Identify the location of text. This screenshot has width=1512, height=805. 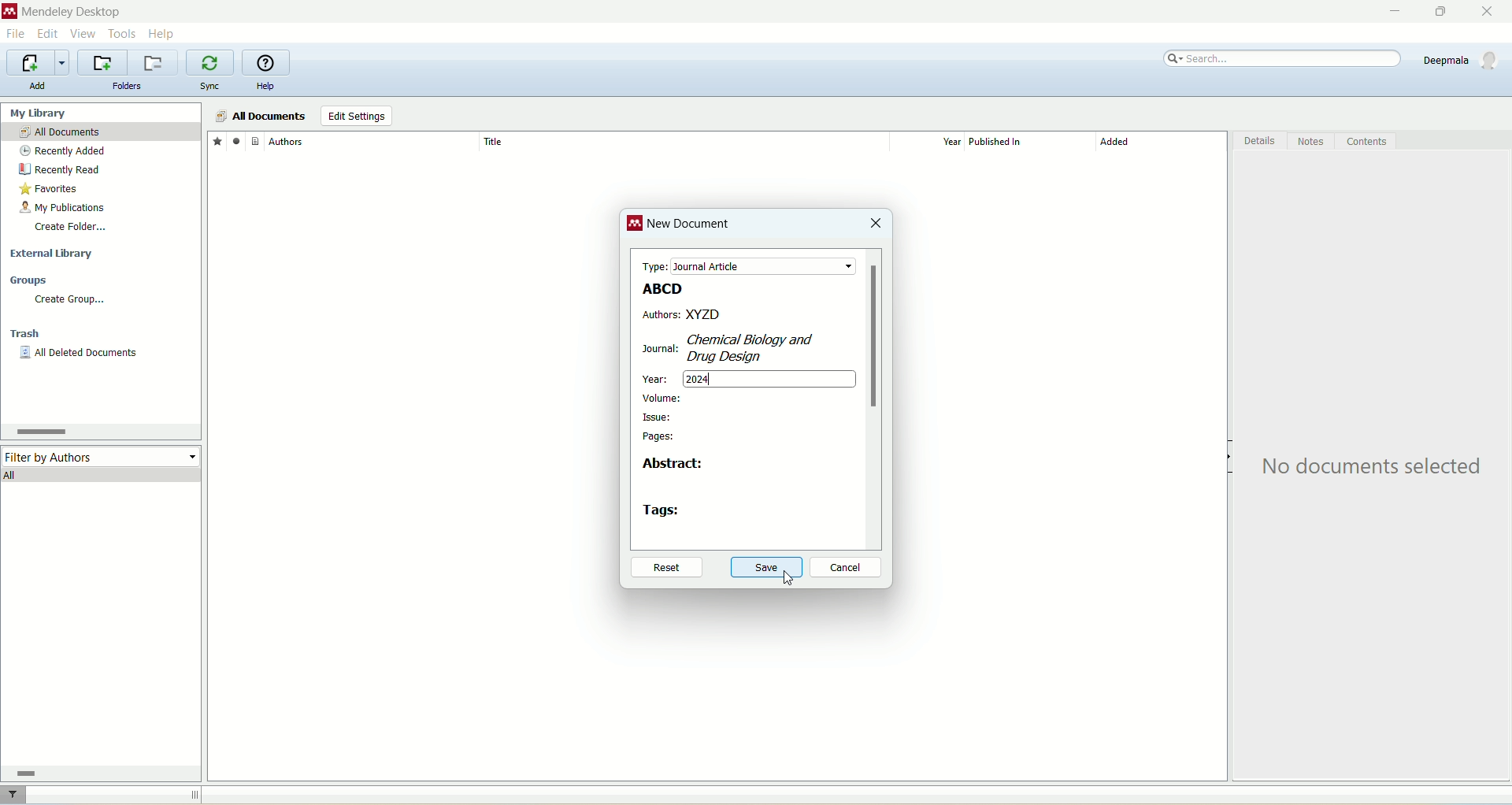
(1376, 467).